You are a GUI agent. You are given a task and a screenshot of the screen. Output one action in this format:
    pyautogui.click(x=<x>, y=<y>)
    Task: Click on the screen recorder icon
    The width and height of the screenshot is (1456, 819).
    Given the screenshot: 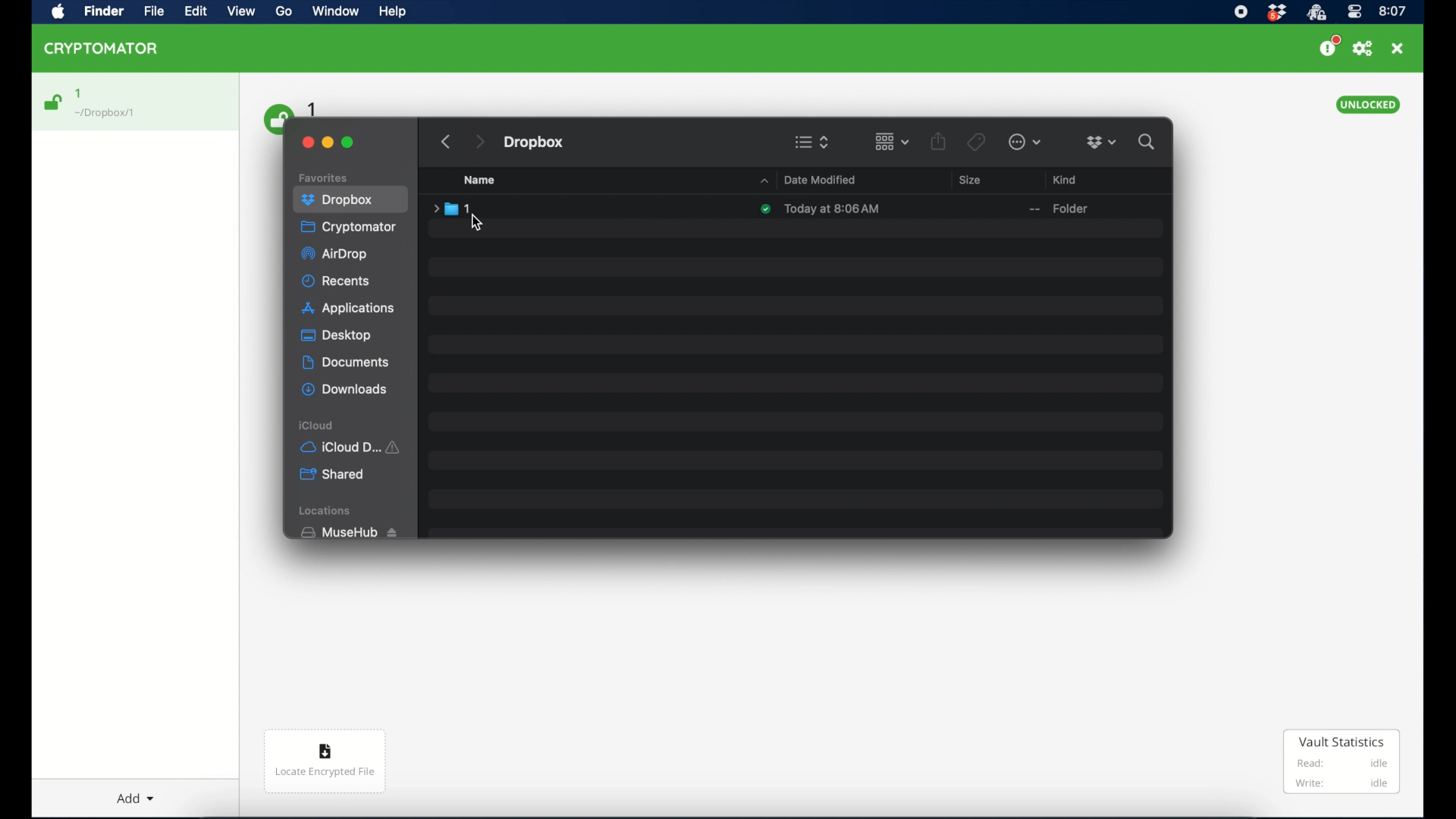 What is the action you would take?
    pyautogui.click(x=1241, y=11)
    